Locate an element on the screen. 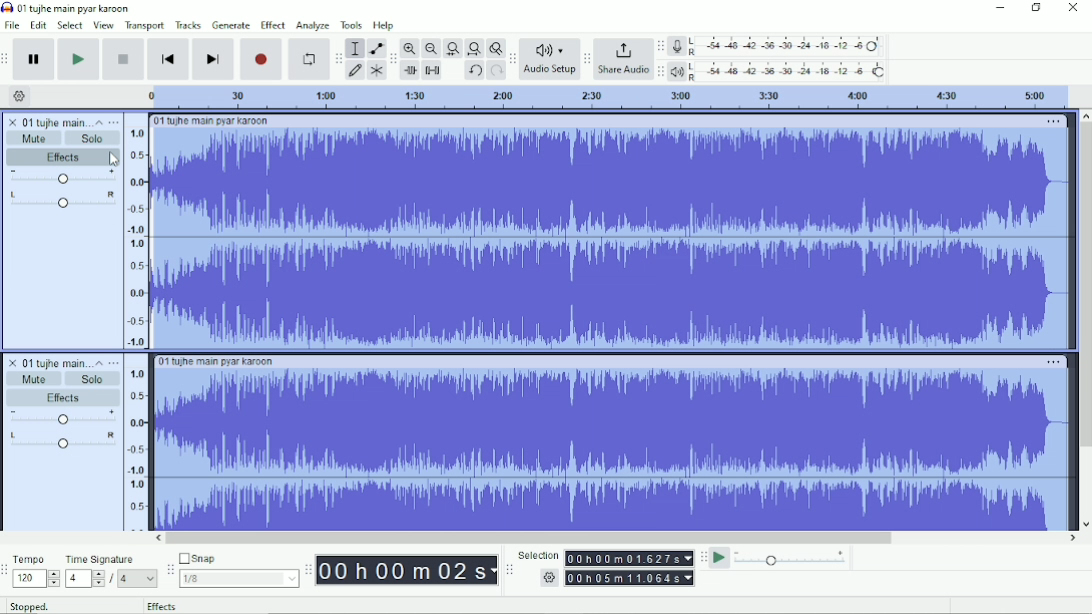 This screenshot has width=1092, height=614. Tempo is located at coordinates (31, 558).